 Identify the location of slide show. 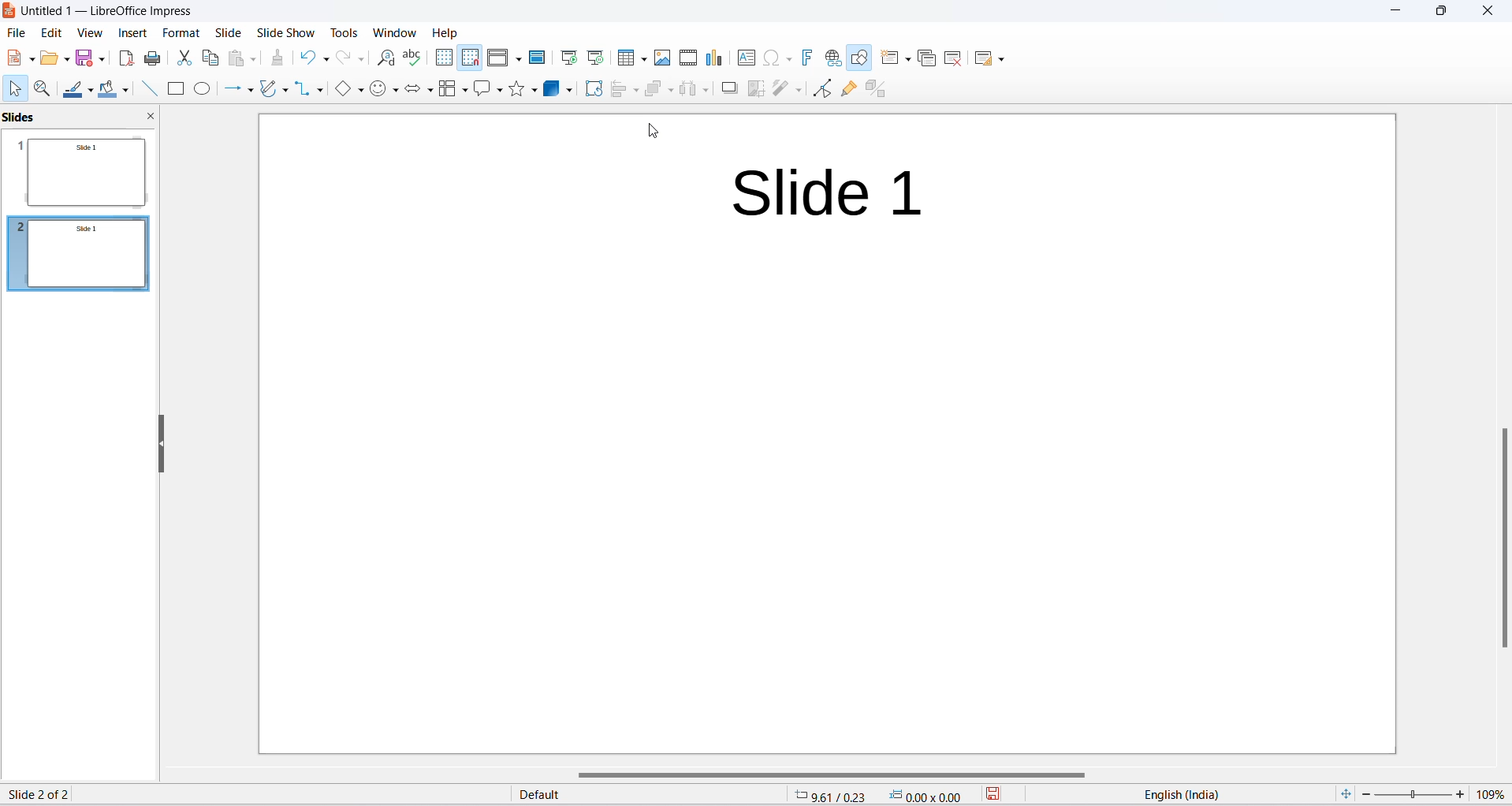
(284, 32).